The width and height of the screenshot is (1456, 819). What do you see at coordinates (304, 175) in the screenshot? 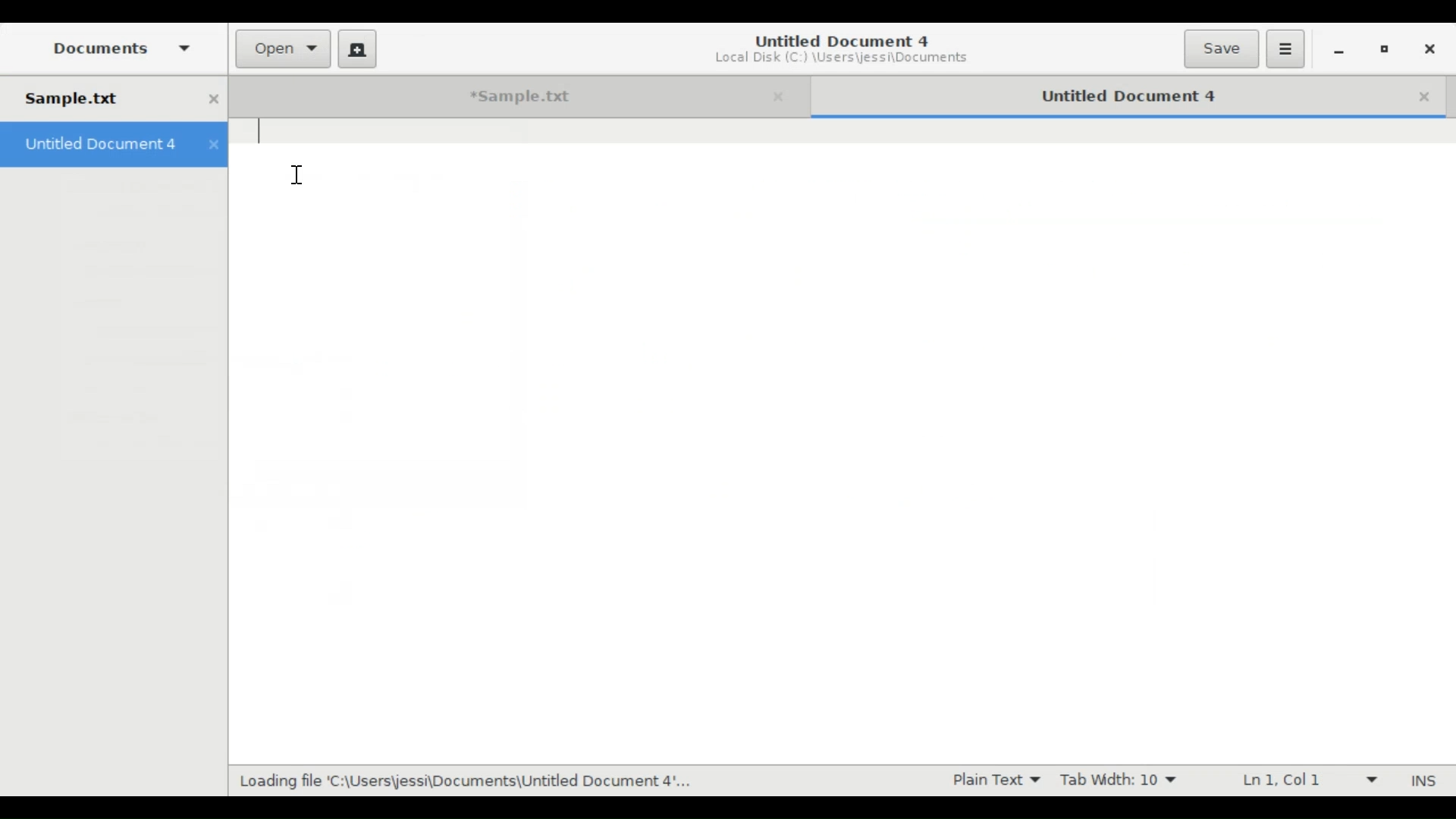
I see `cursor` at bounding box center [304, 175].